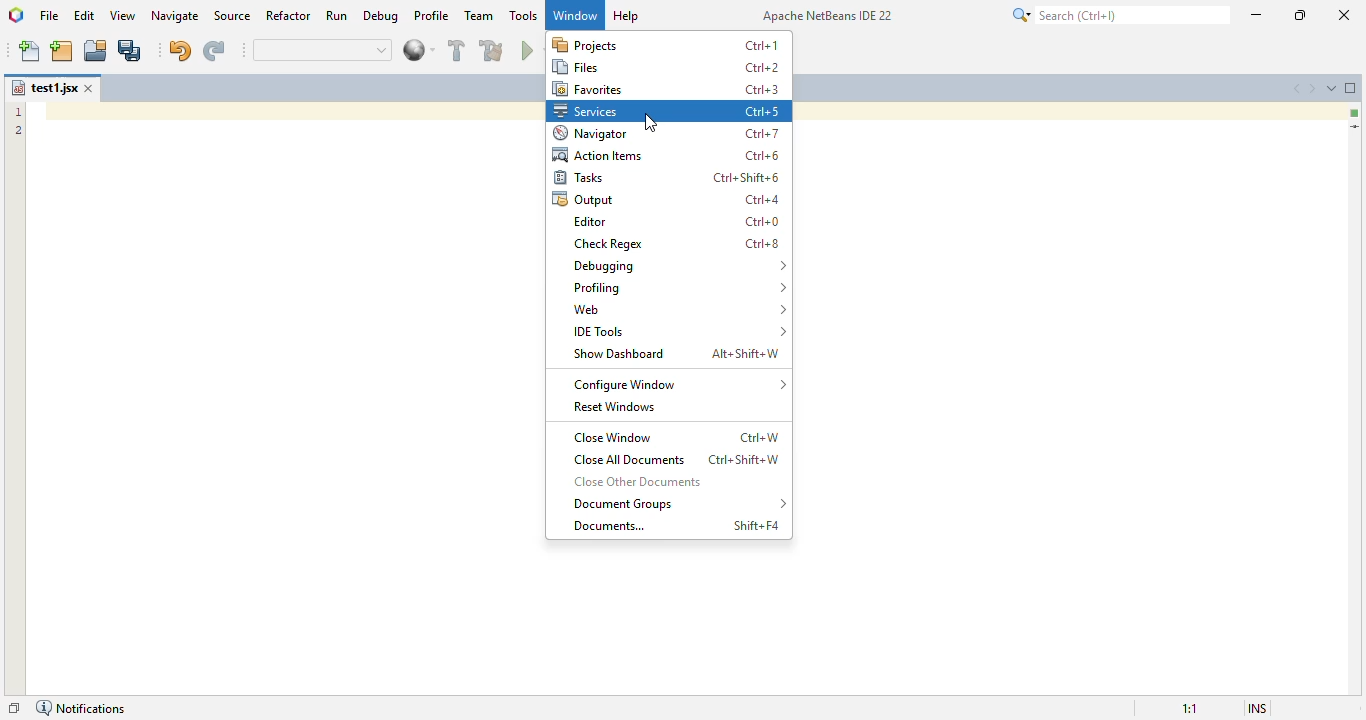 The height and width of the screenshot is (720, 1366). What do you see at coordinates (638, 481) in the screenshot?
I see `close other documents` at bounding box center [638, 481].